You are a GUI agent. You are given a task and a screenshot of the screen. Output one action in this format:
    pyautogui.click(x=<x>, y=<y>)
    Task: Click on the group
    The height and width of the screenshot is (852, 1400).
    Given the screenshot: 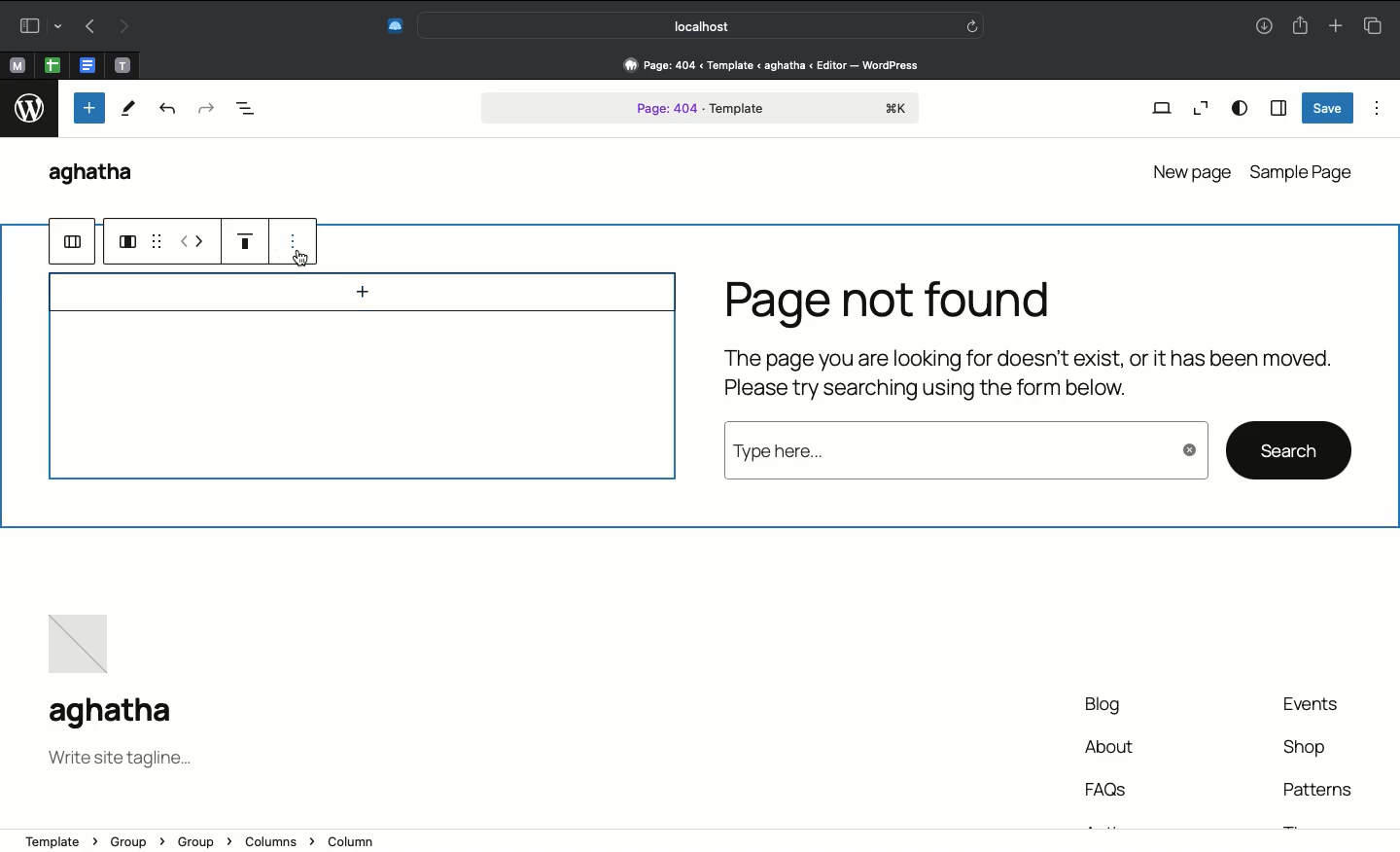 What is the action you would take?
    pyautogui.click(x=122, y=242)
    